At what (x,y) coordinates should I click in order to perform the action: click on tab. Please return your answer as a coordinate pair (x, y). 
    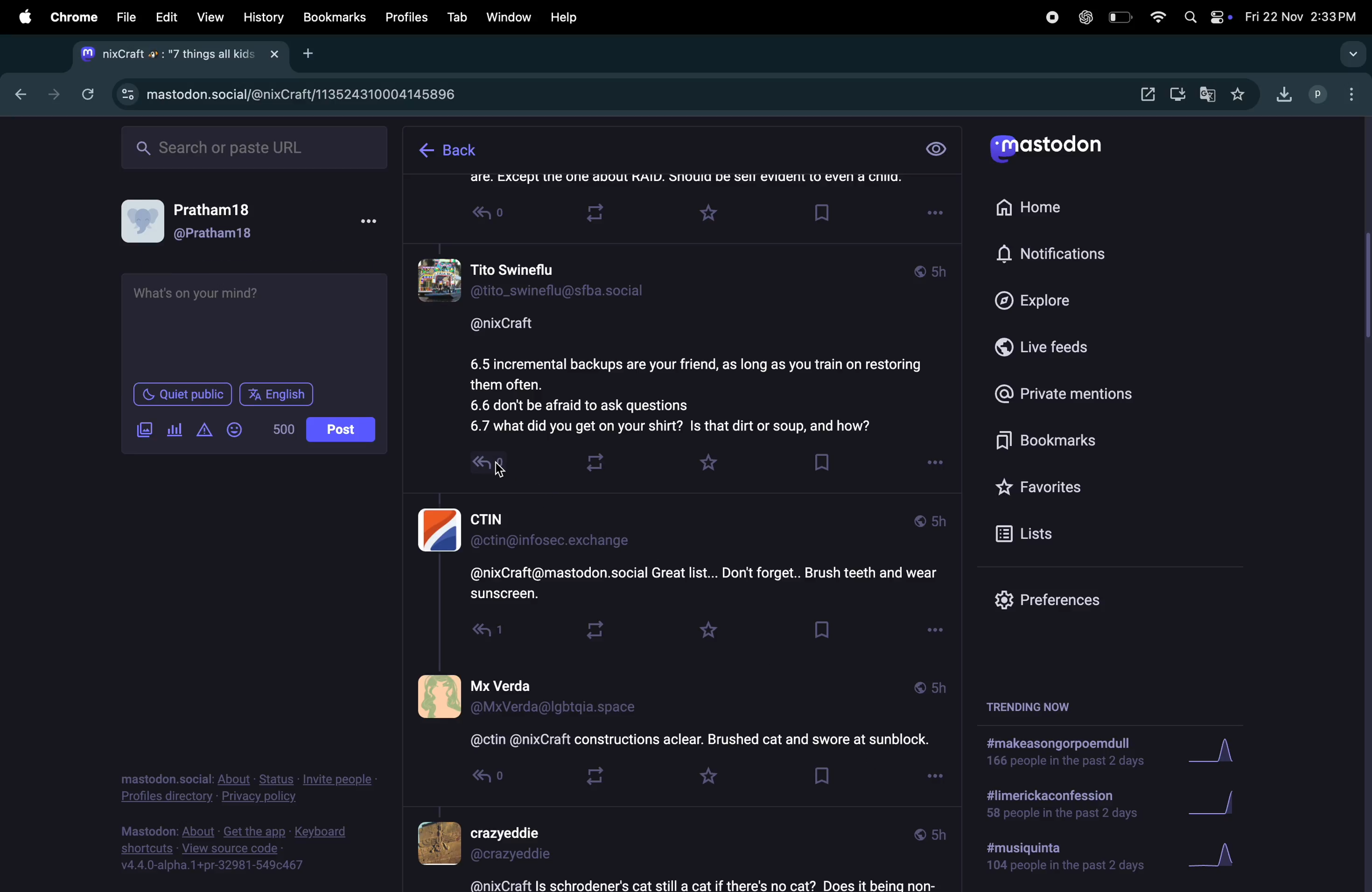
    Looking at the image, I should click on (179, 55).